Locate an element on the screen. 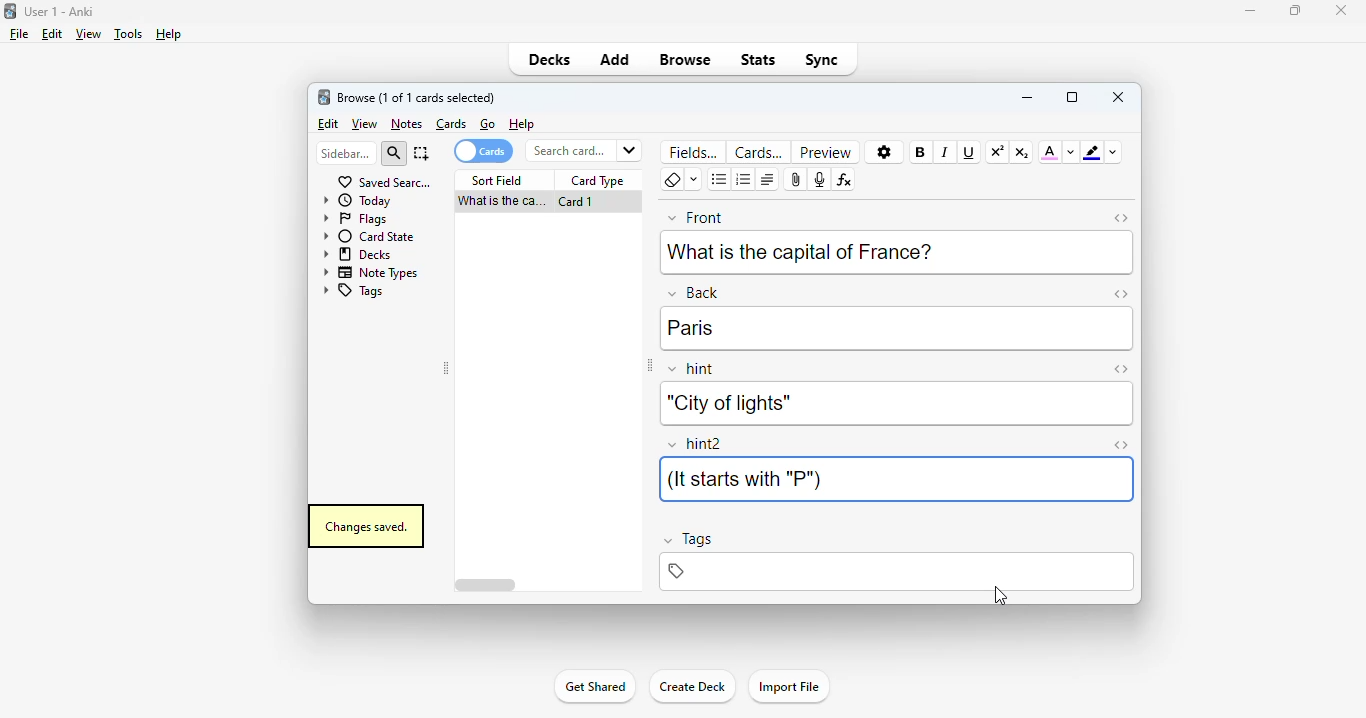  toggle HTML editor is located at coordinates (1121, 446).